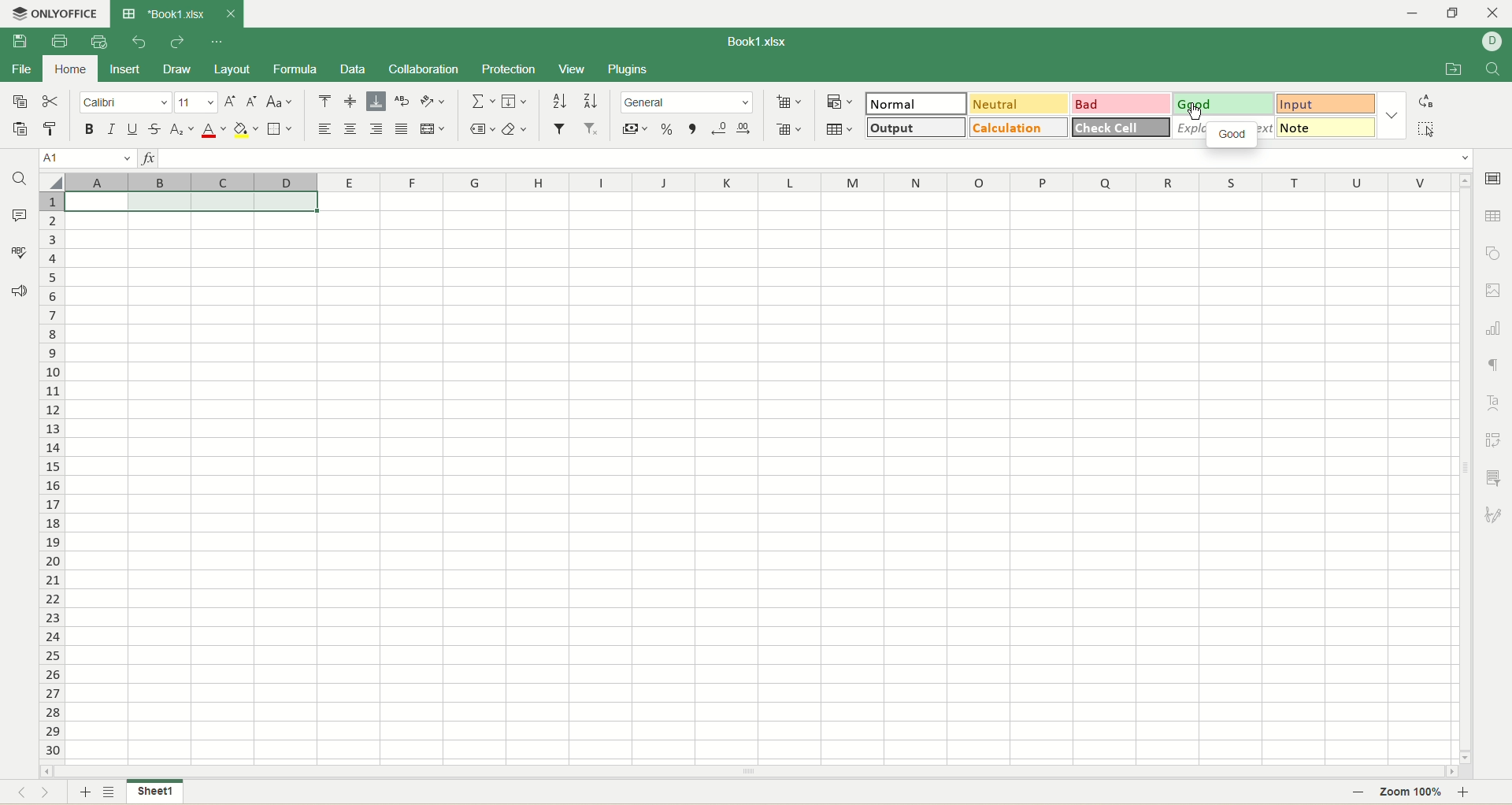 Image resolution: width=1512 pixels, height=805 pixels. I want to click on copy style, so click(50, 132).